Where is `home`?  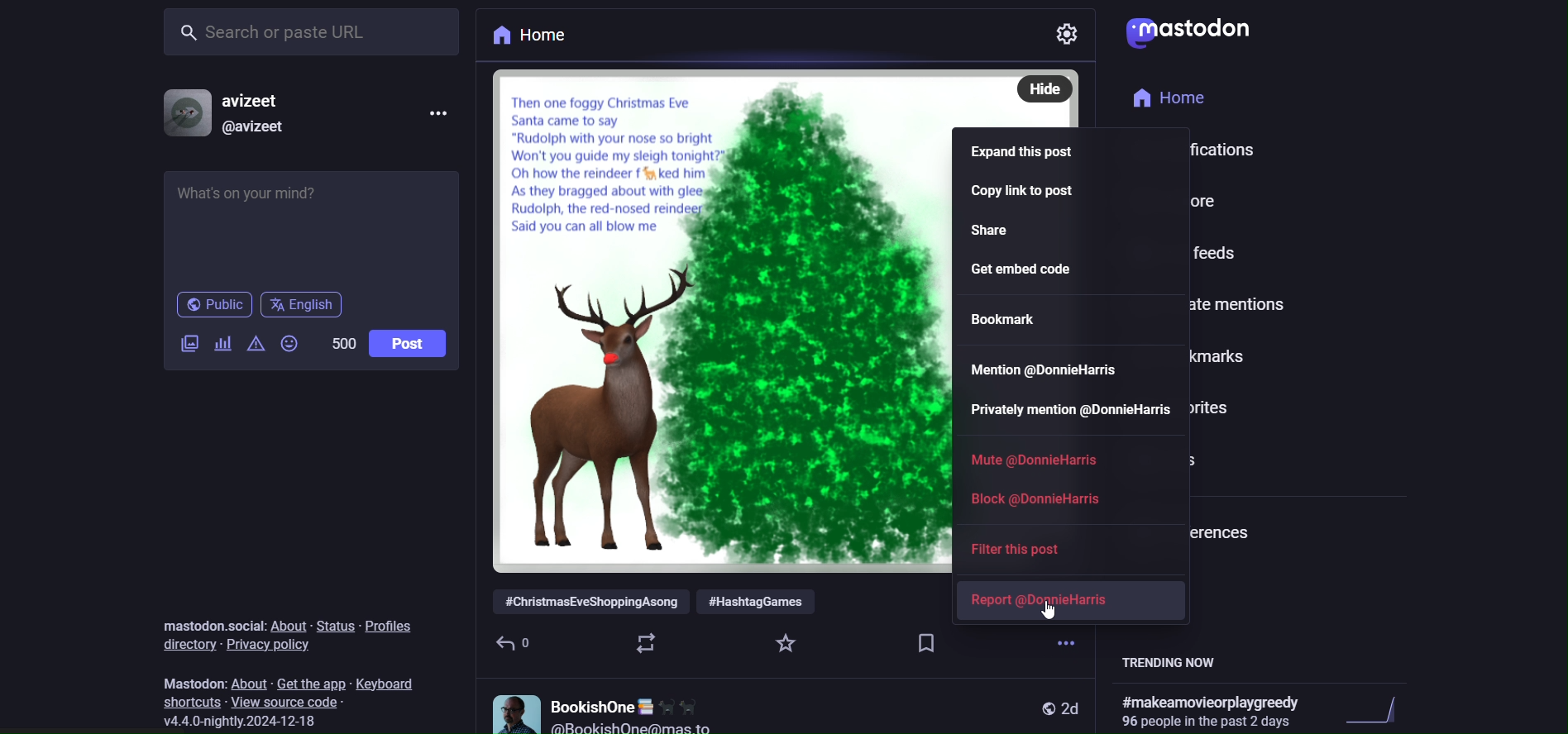 home is located at coordinates (528, 37).